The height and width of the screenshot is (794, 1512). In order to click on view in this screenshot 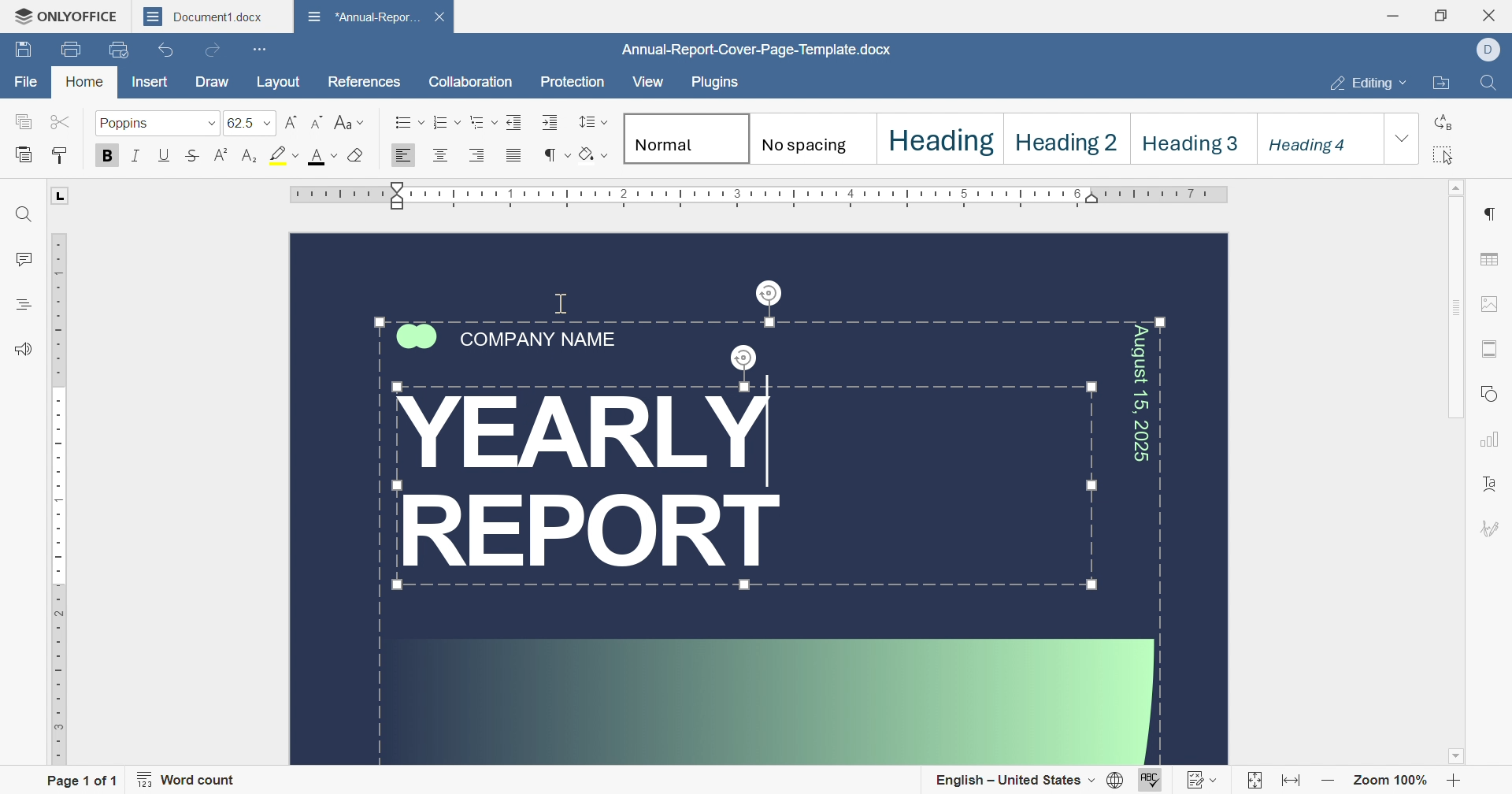, I will do `click(647, 83)`.